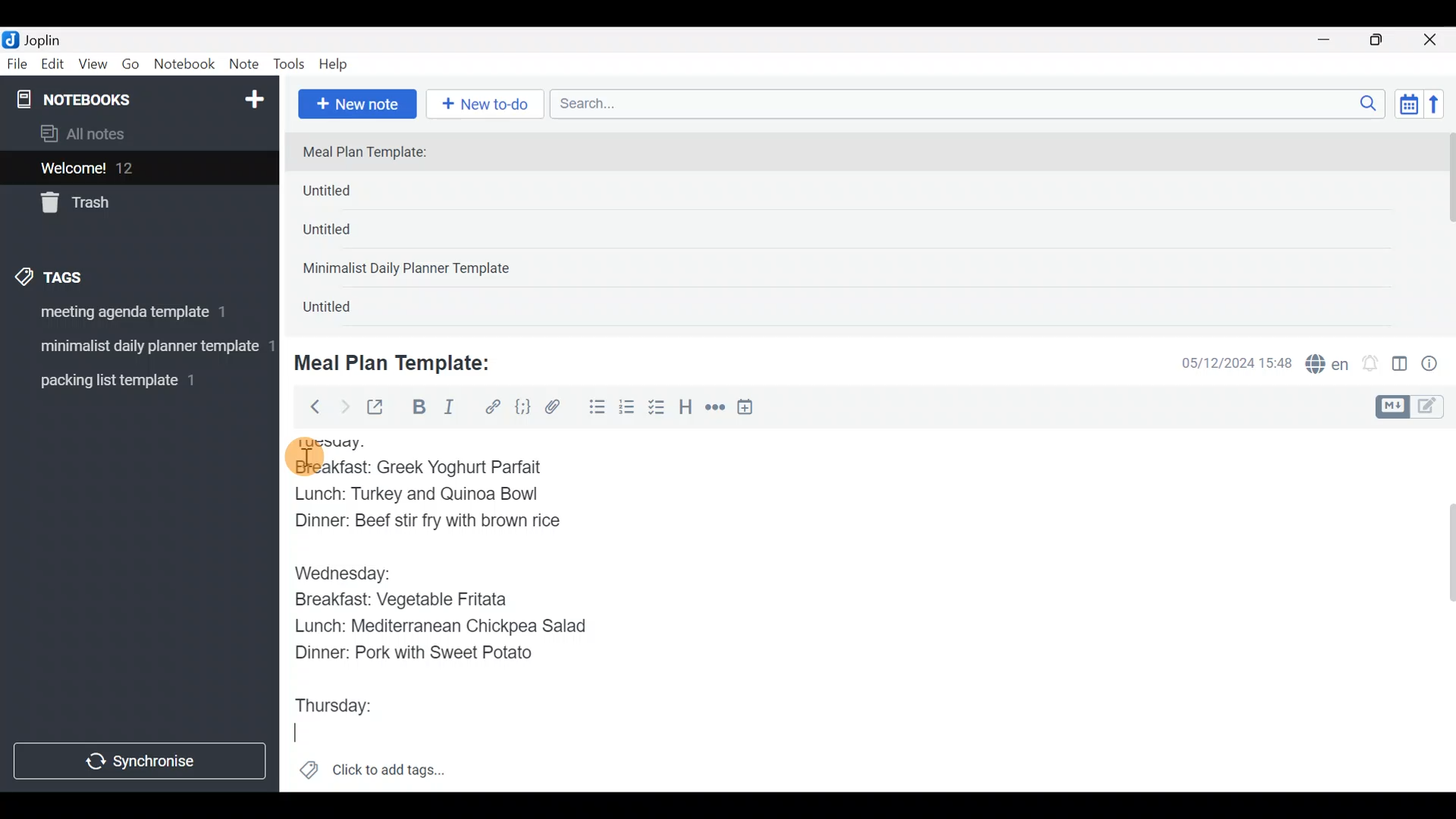  I want to click on Code, so click(521, 406).